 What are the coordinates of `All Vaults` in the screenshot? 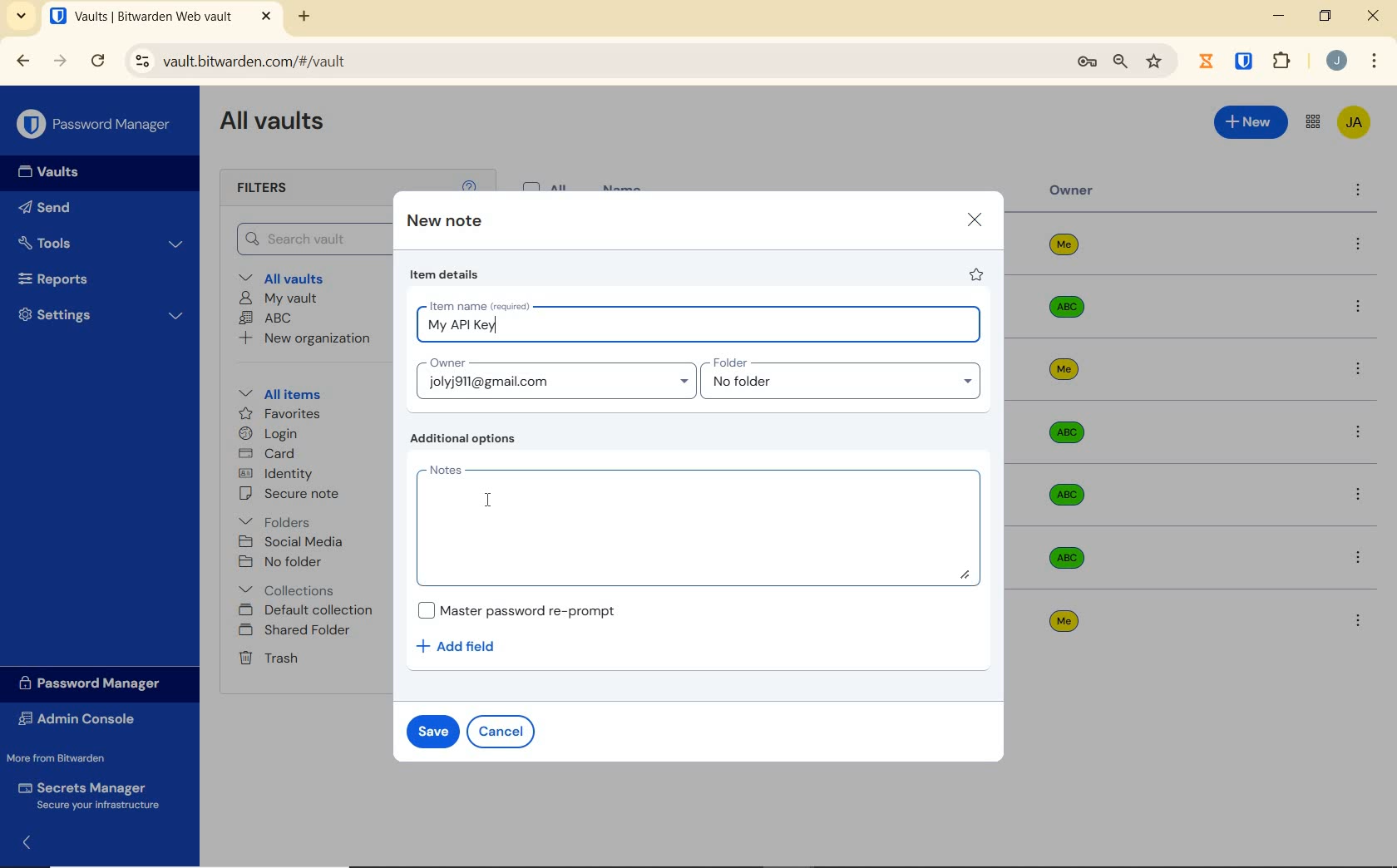 It's located at (279, 126).